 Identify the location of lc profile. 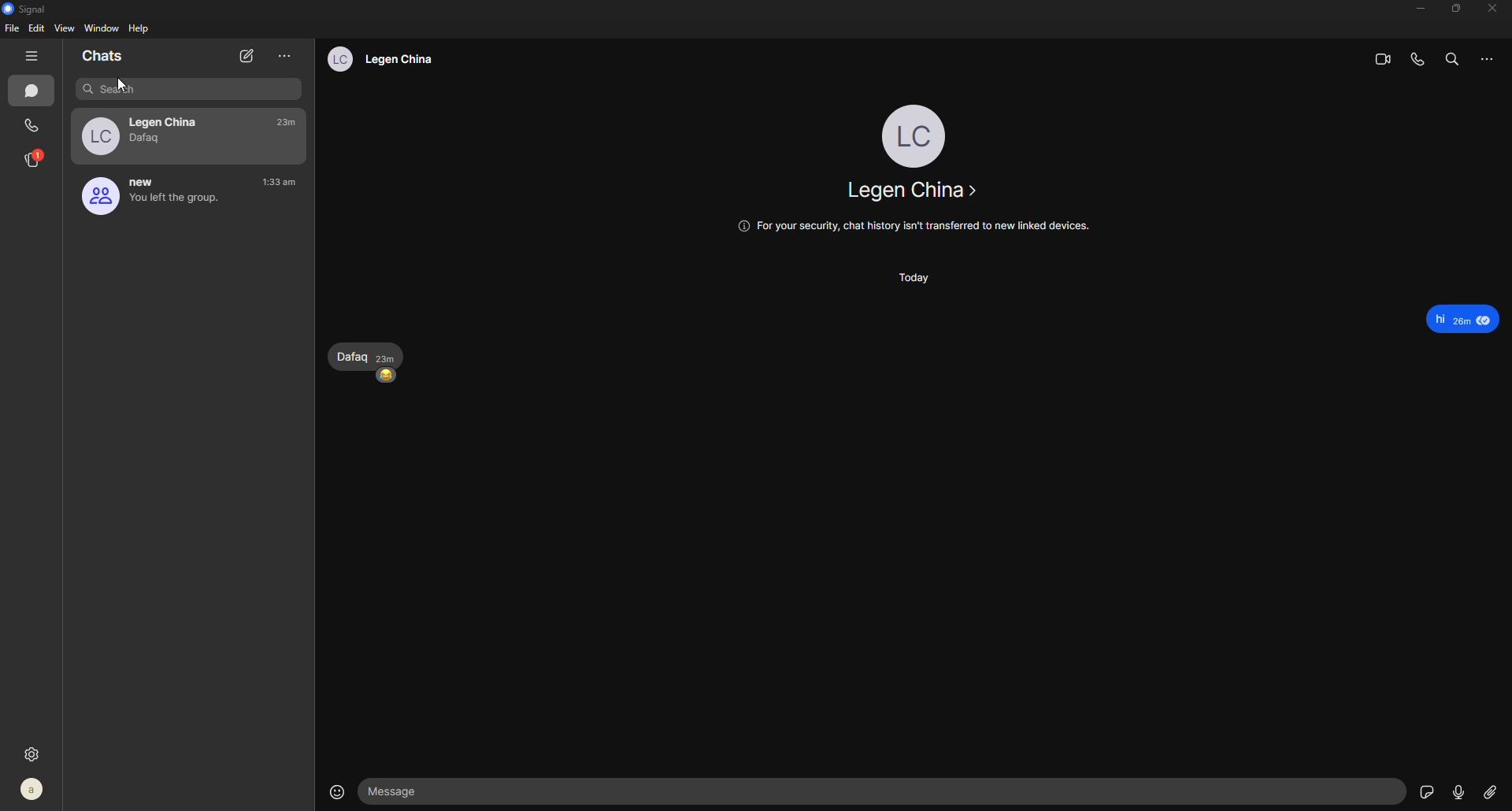
(339, 61).